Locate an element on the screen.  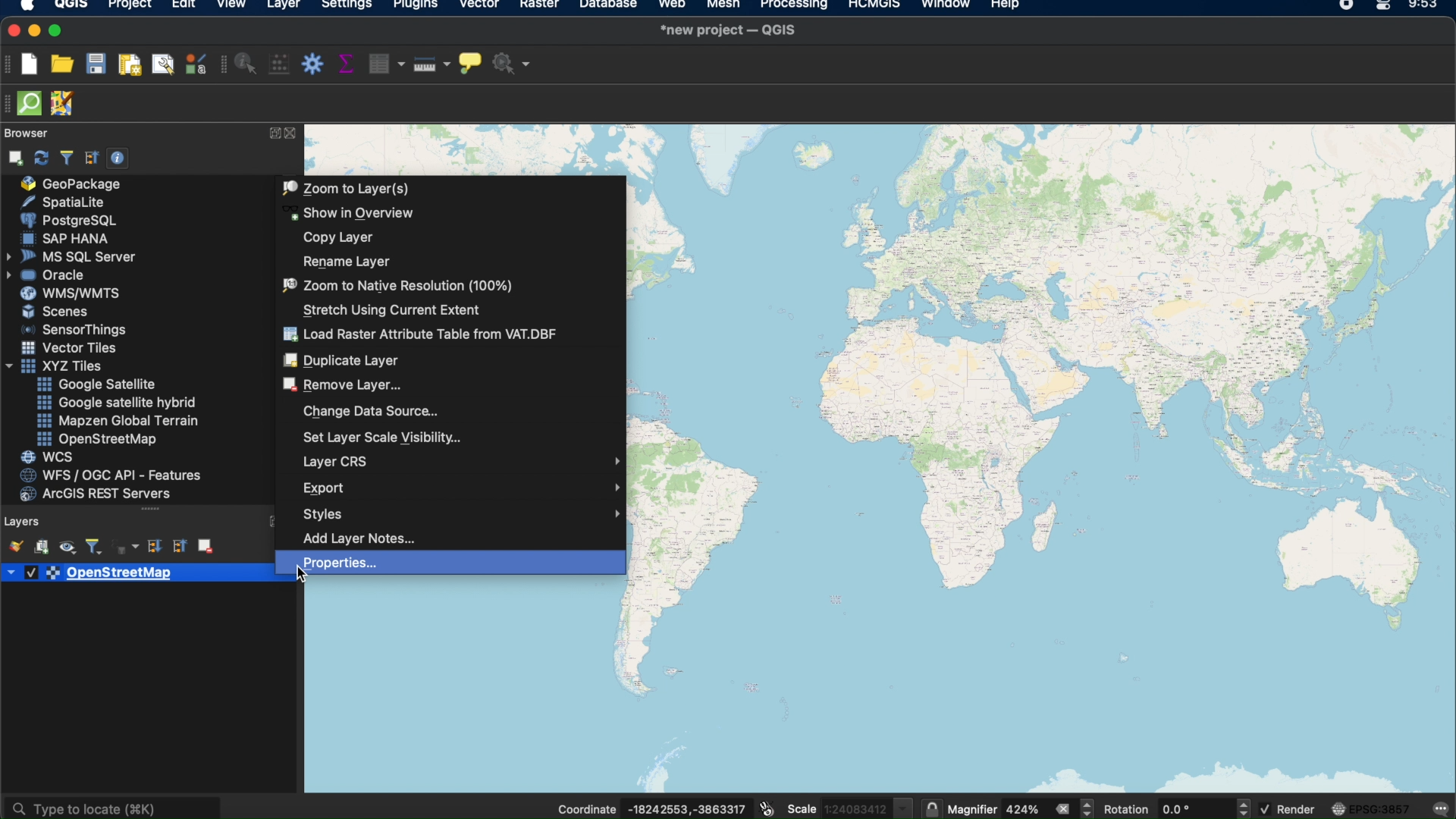
quick OSM is located at coordinates (30, 103).